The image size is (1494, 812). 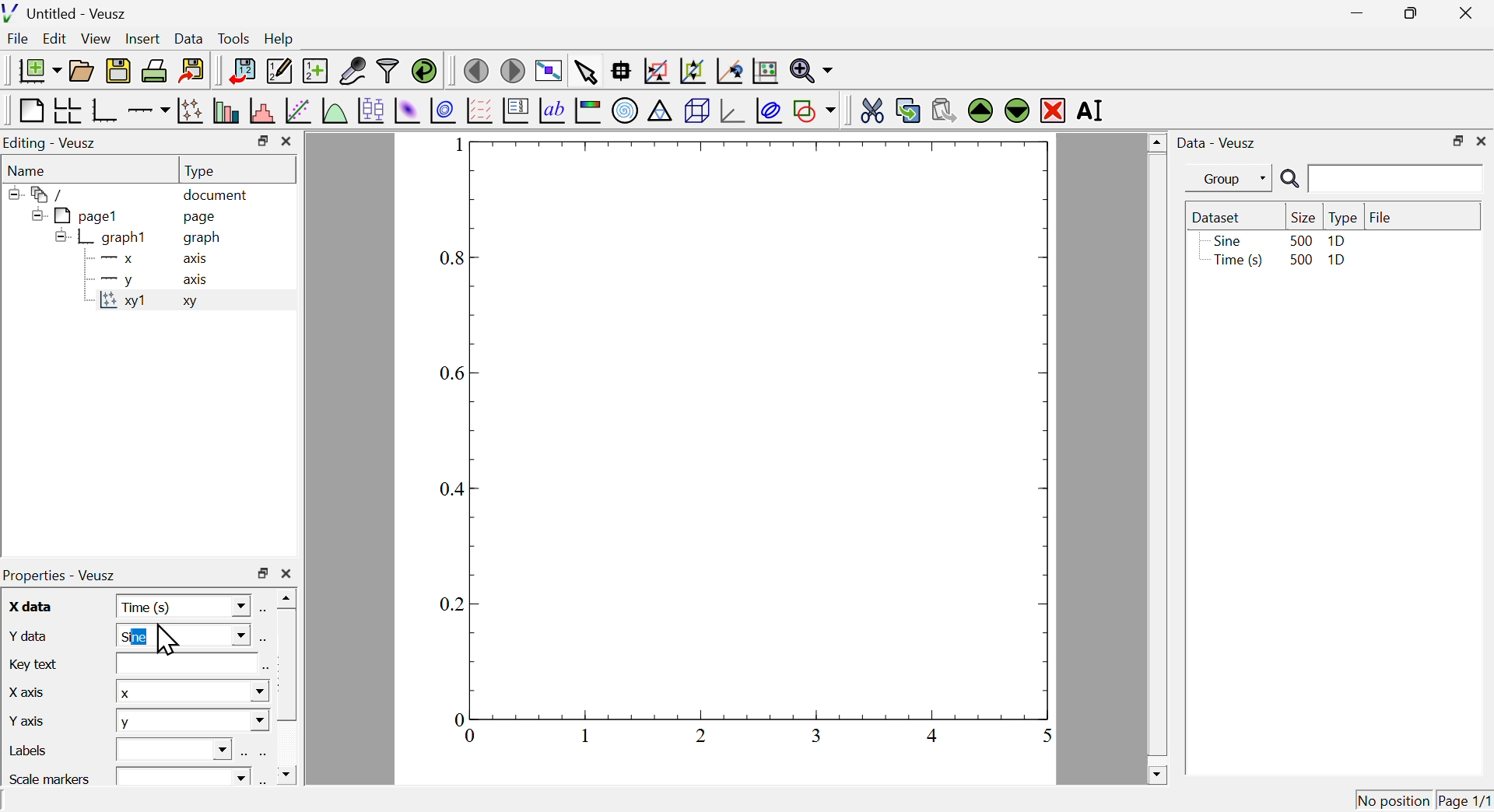 What do you see at coordinates (124, 305) in the screenshot?
I see `xy1` at bounding box center [124, 305].